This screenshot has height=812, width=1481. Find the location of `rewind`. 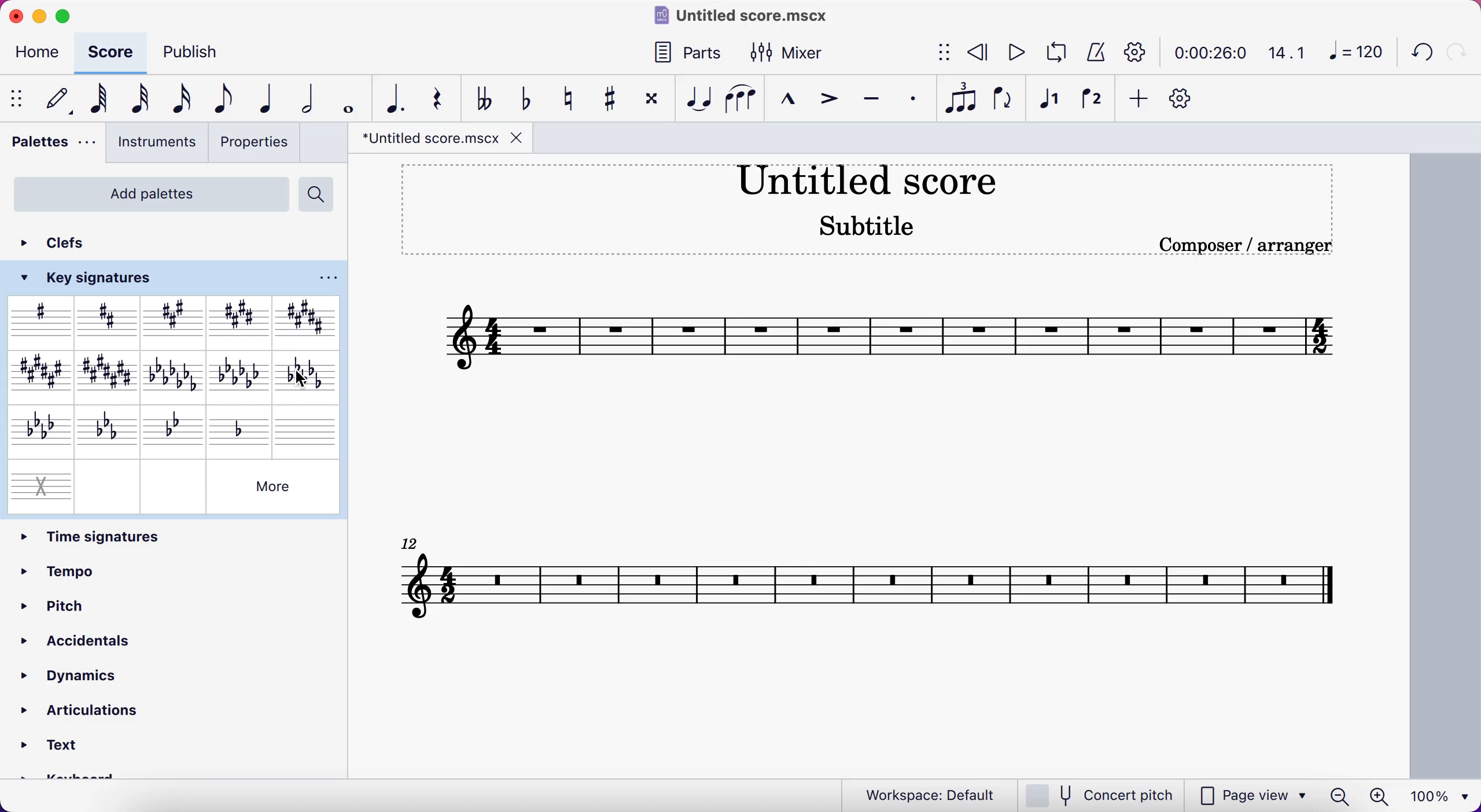

rewind is located at coordinates (978, 53).